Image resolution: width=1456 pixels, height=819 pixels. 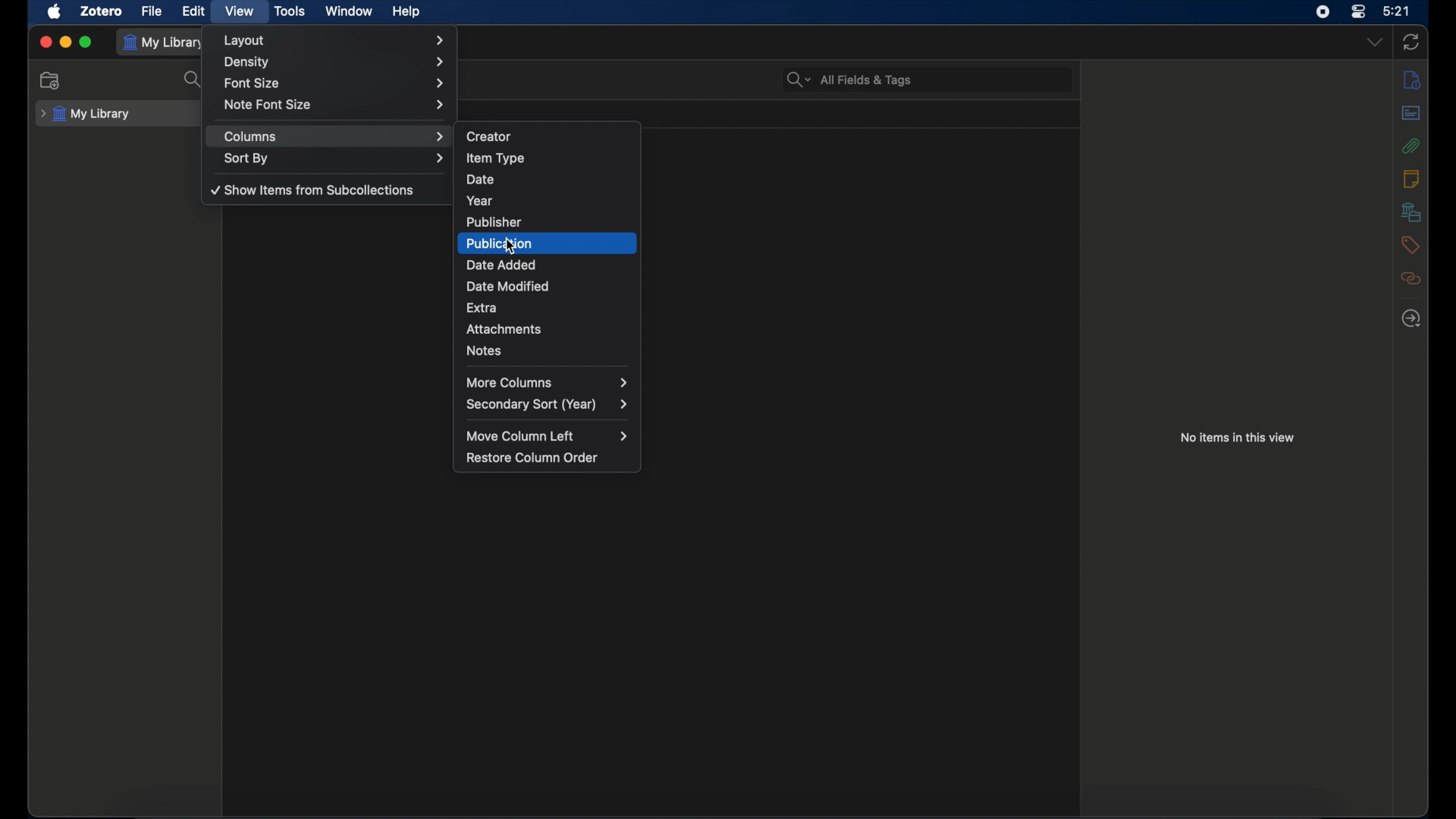 What do you see at coordinates (547, 382) in the screenshot?
I see `more columns` at bounding box center [547, 382].